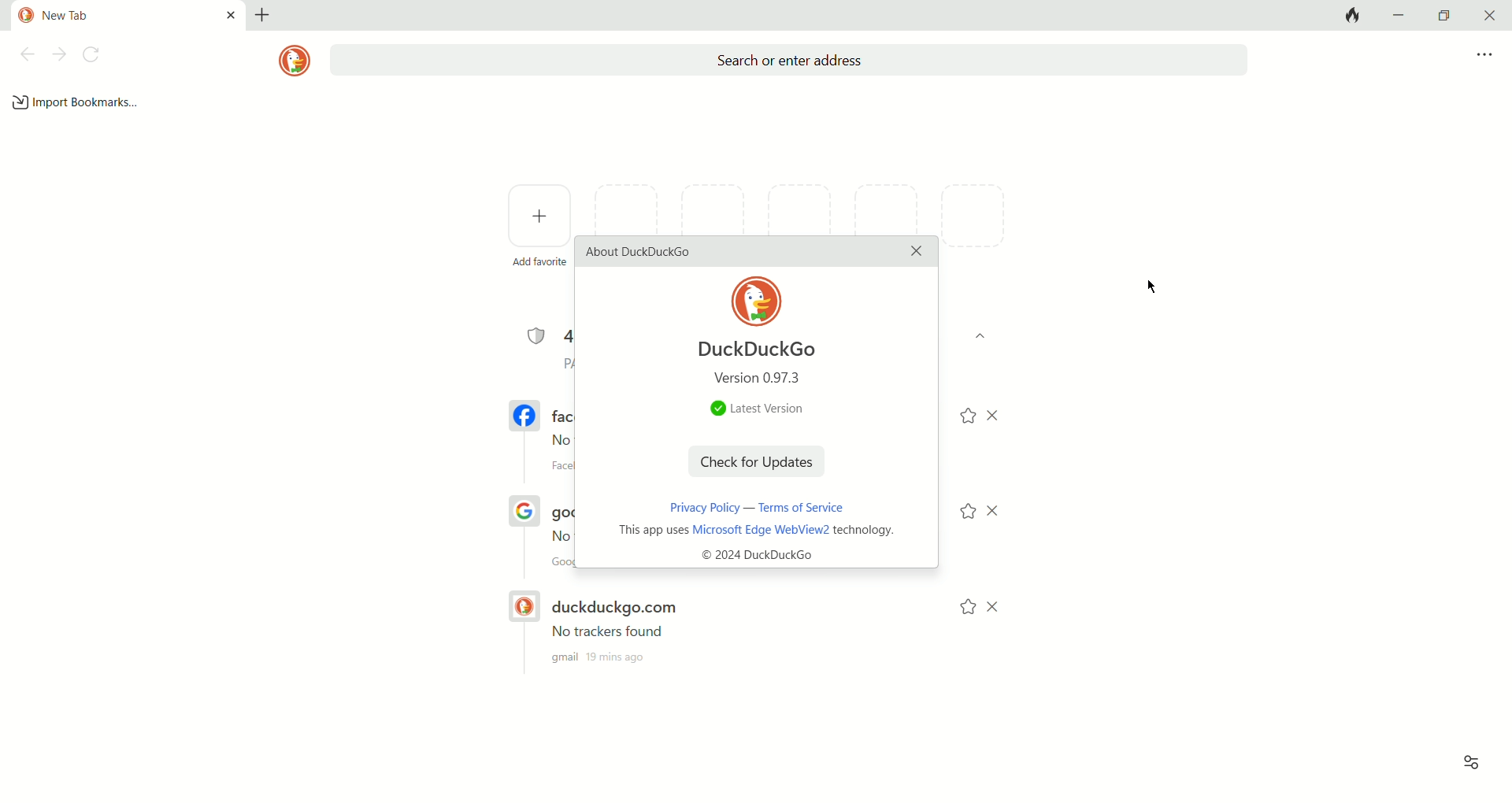 The width and height of the screenshot is (1512, 803). Describe the element at coordinates (1003, 413) in the screenshot. I see `close ` at that location.